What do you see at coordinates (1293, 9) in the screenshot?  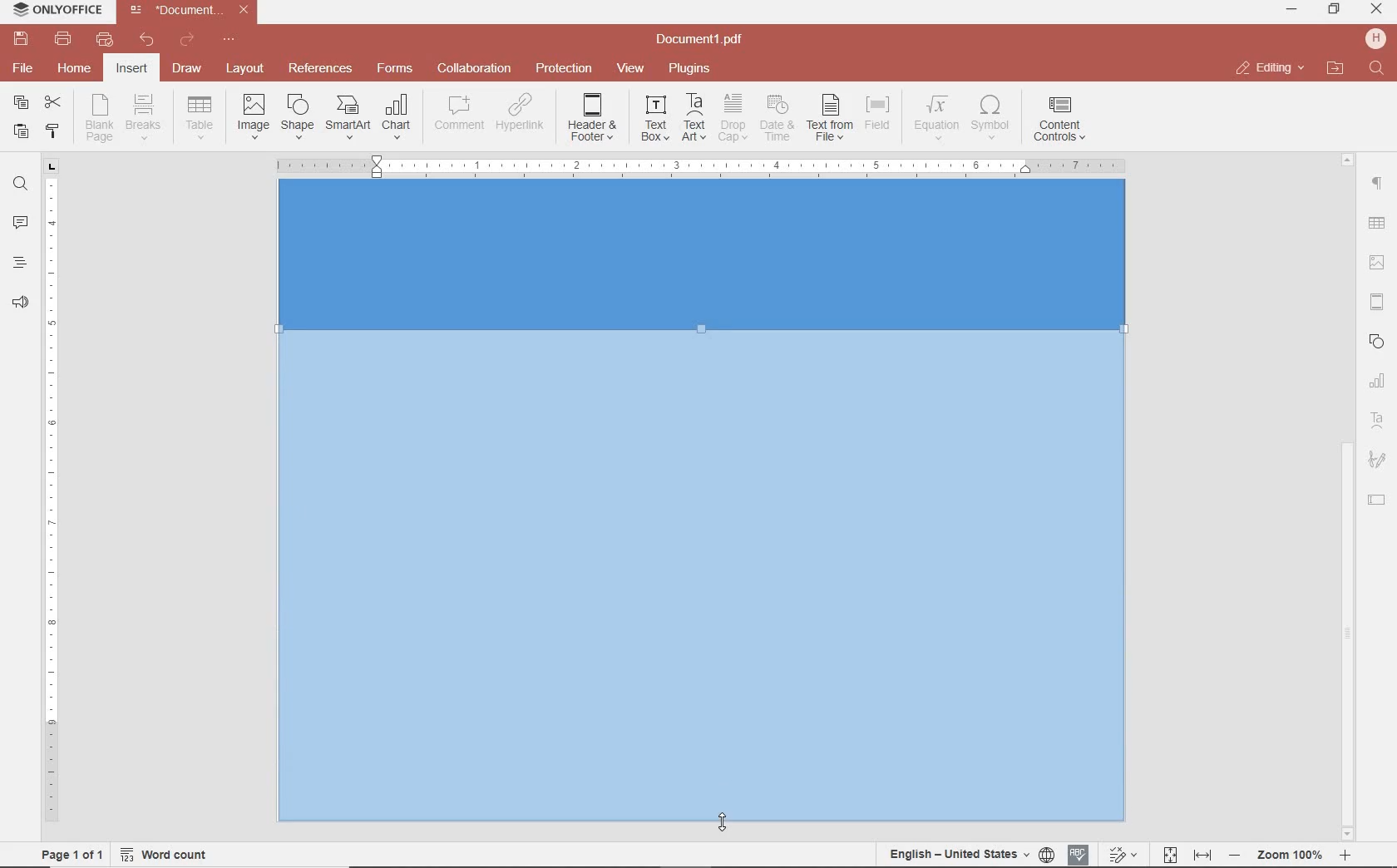 I see `minimize` at bounding box center [1293, 9].